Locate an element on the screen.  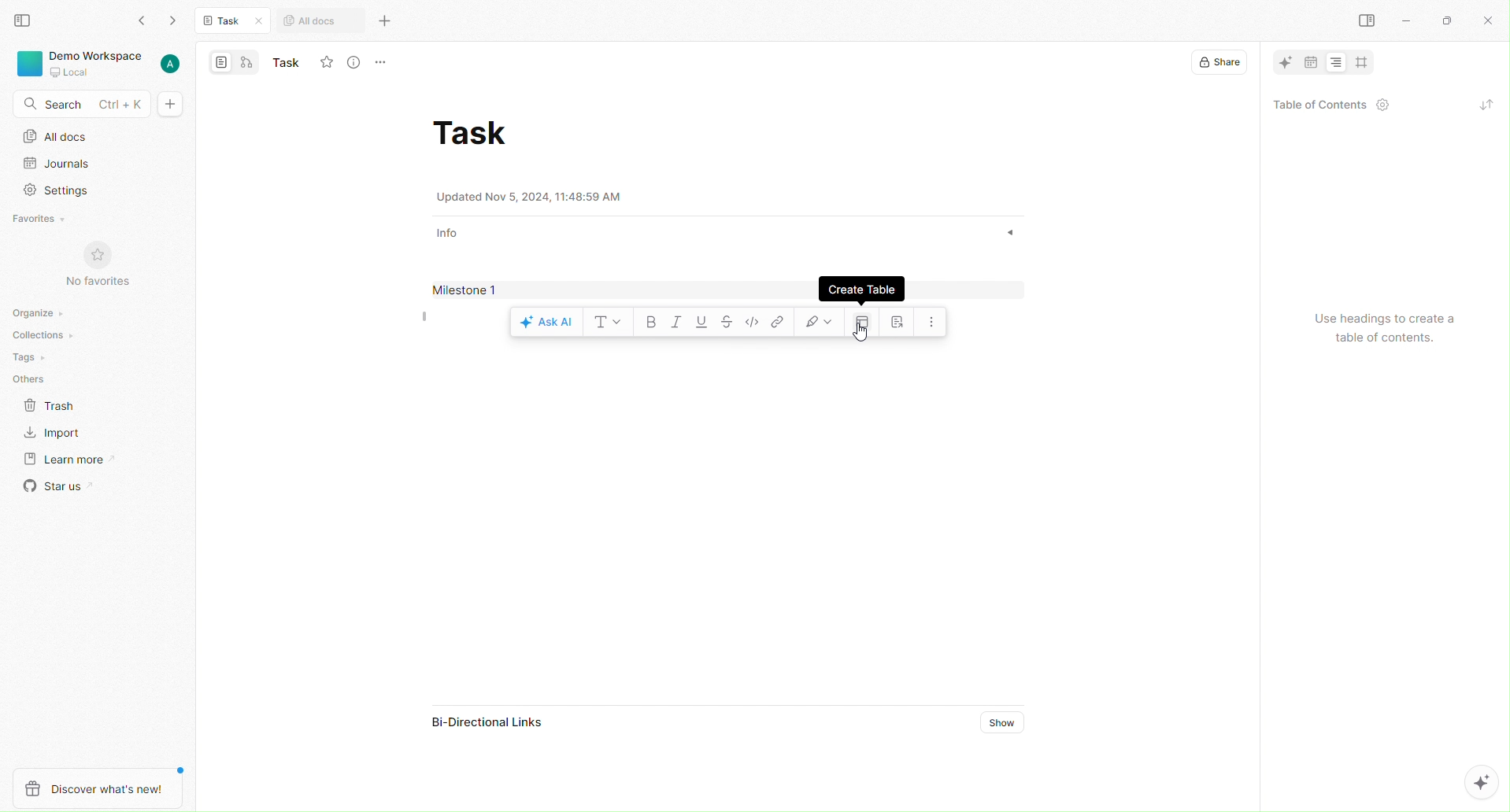
Star us is located at coordinates (55, 487).